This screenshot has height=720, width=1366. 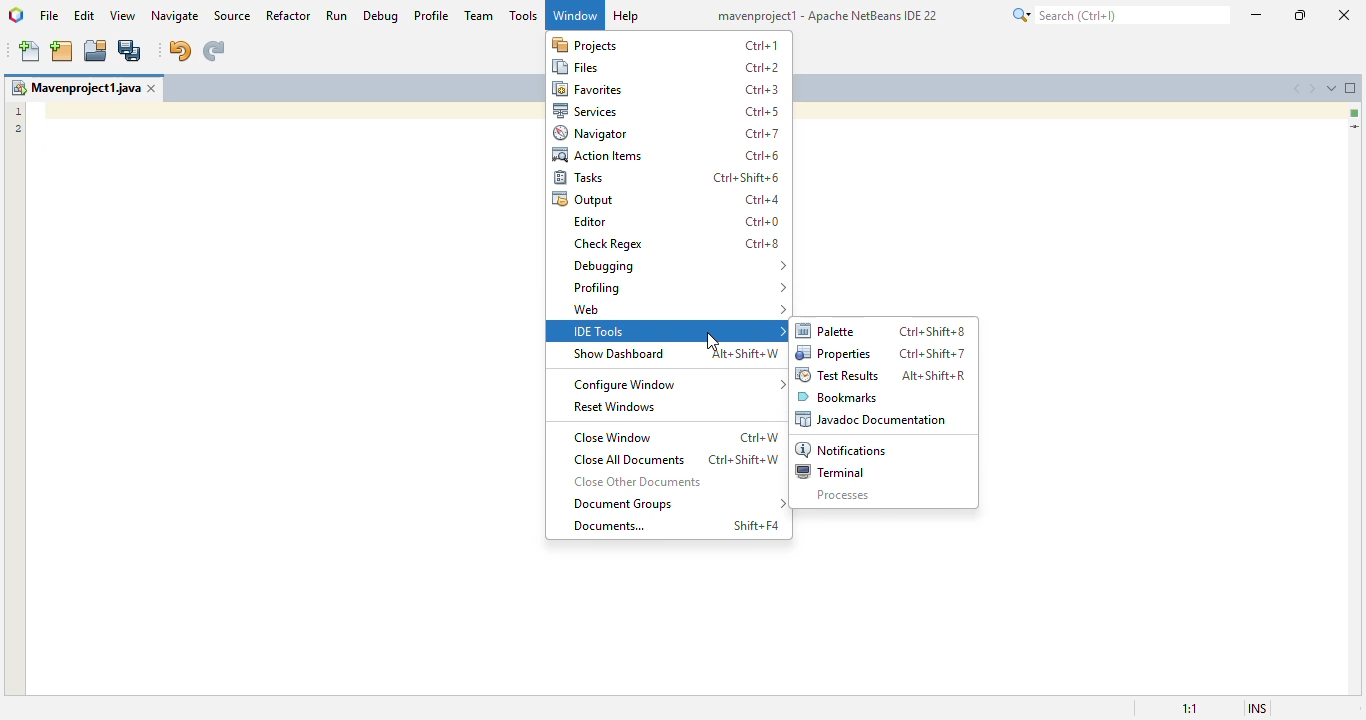 I want to click on documents, so click(x=608, y=526).